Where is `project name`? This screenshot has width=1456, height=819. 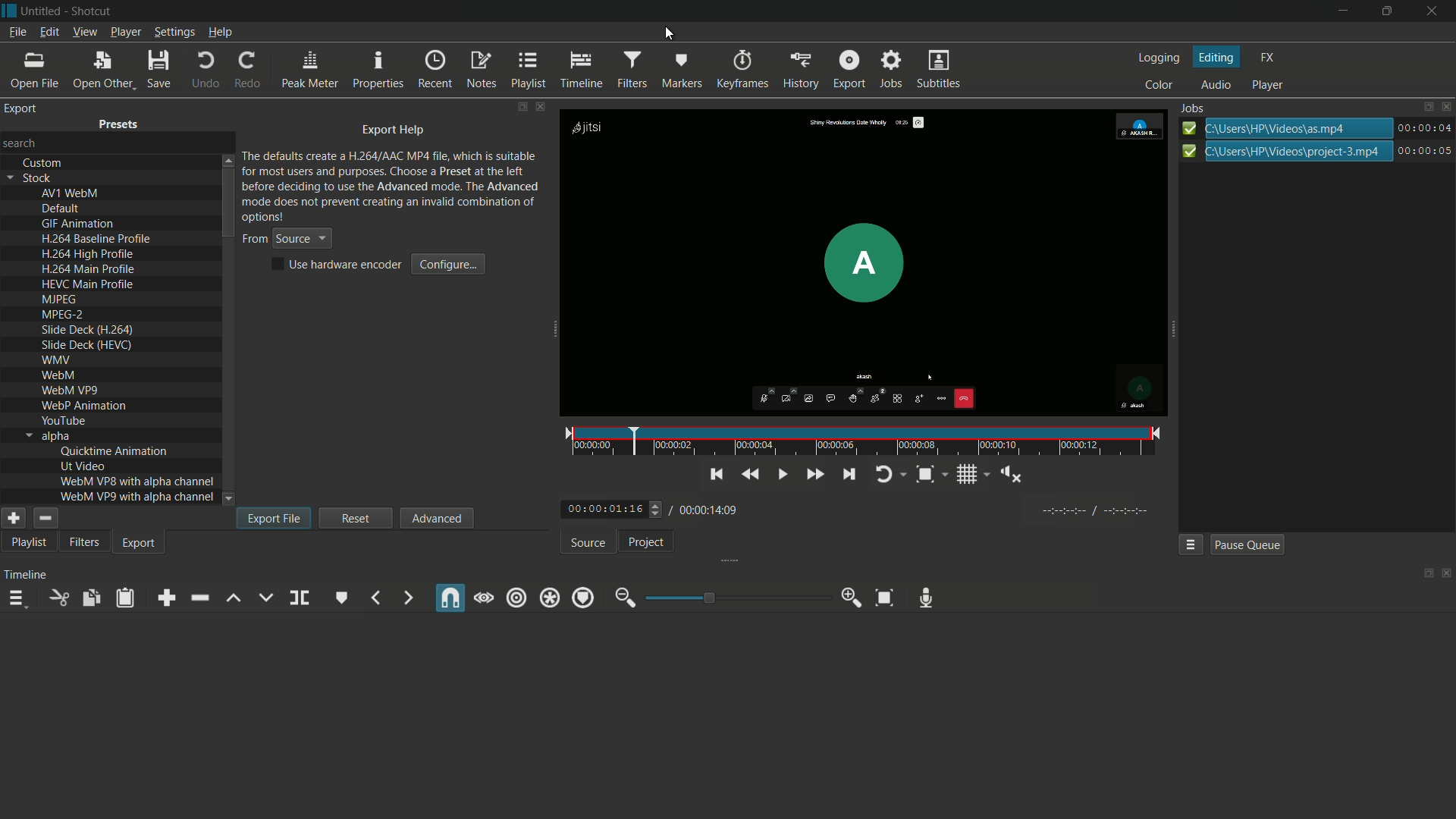
project name is located at coordinates (42, 11).